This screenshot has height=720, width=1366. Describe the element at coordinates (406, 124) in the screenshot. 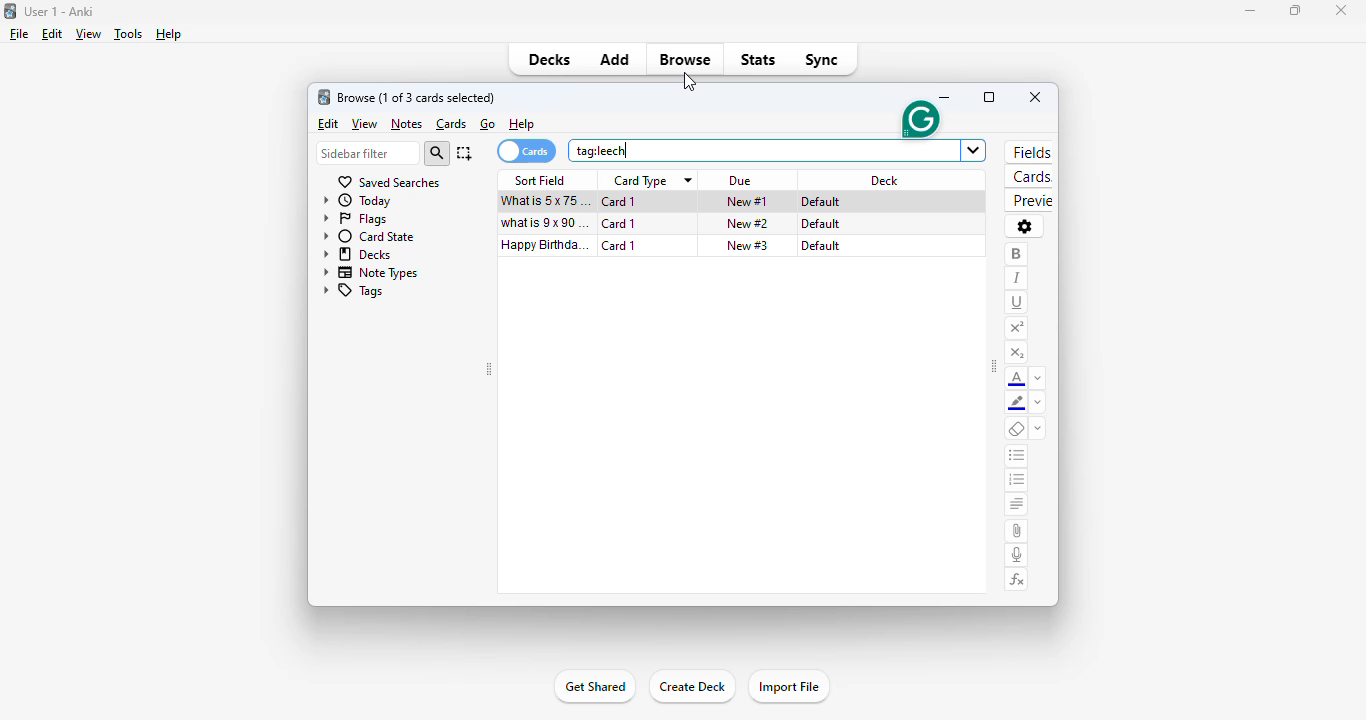

I see `notes` at that location.